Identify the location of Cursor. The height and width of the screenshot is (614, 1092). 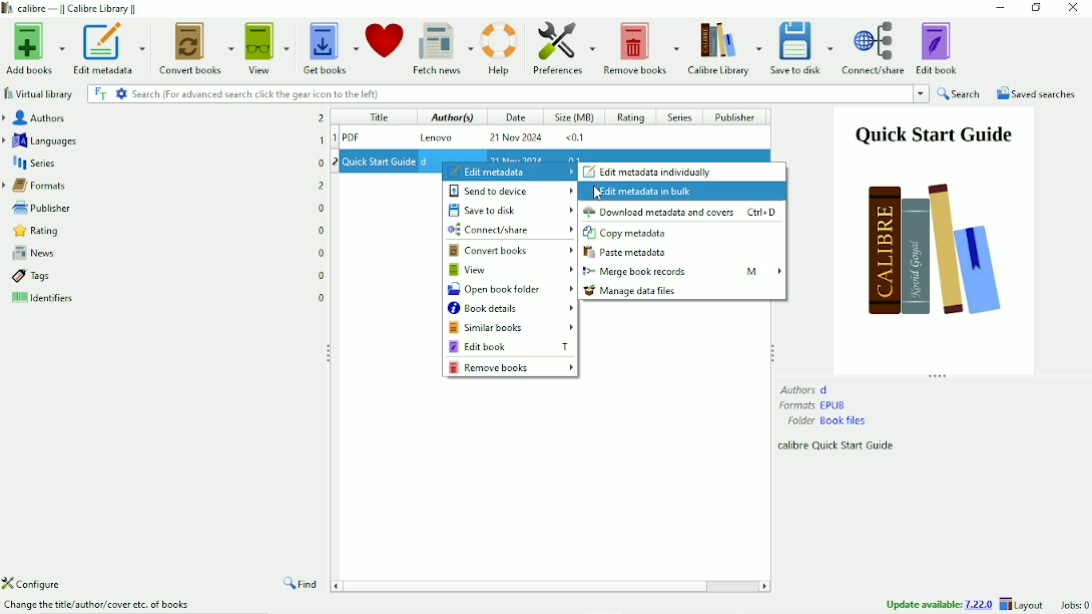
(598, 193).